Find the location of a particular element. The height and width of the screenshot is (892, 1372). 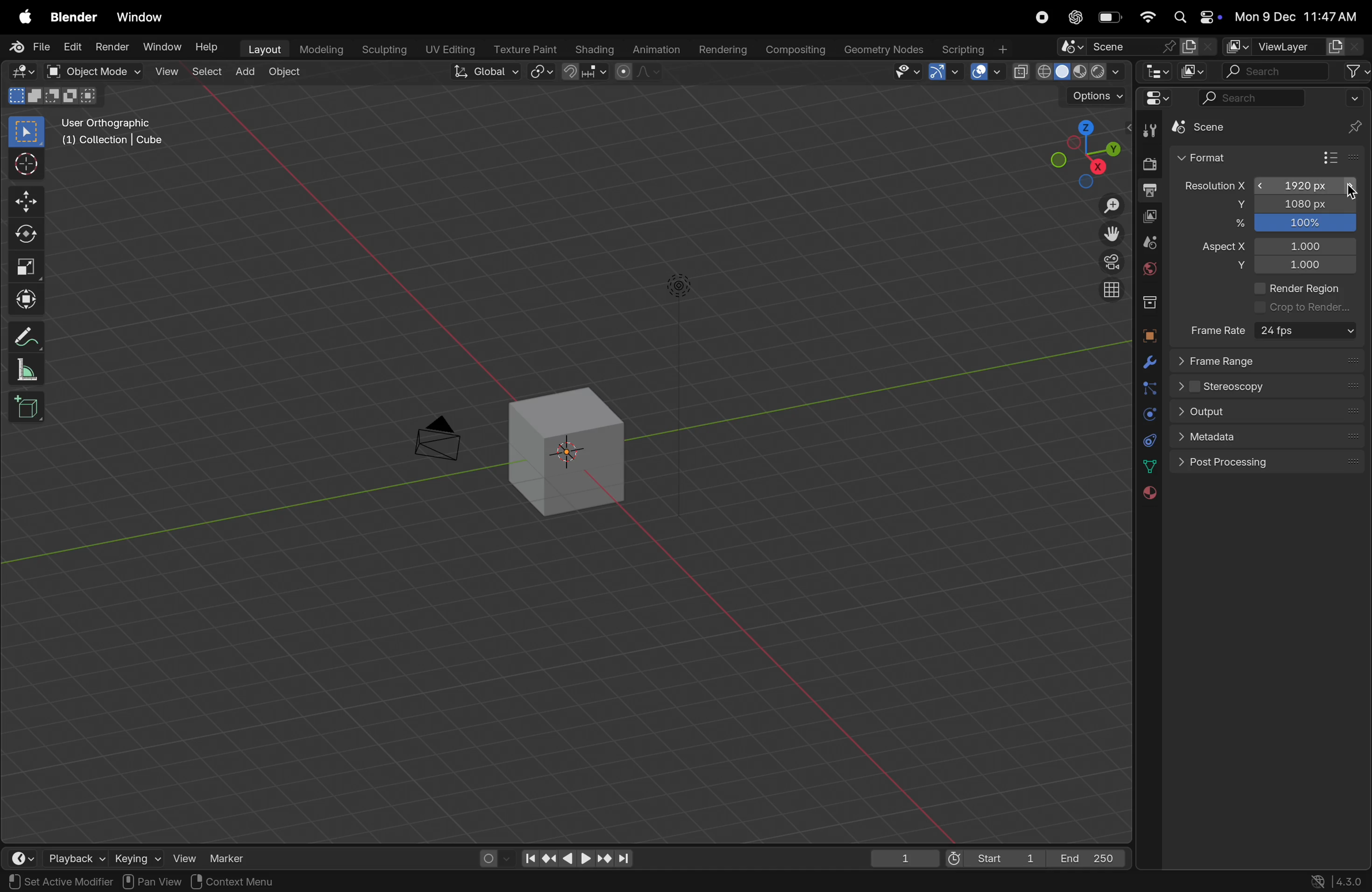

Sculpting is located at coordinates (381, 49).